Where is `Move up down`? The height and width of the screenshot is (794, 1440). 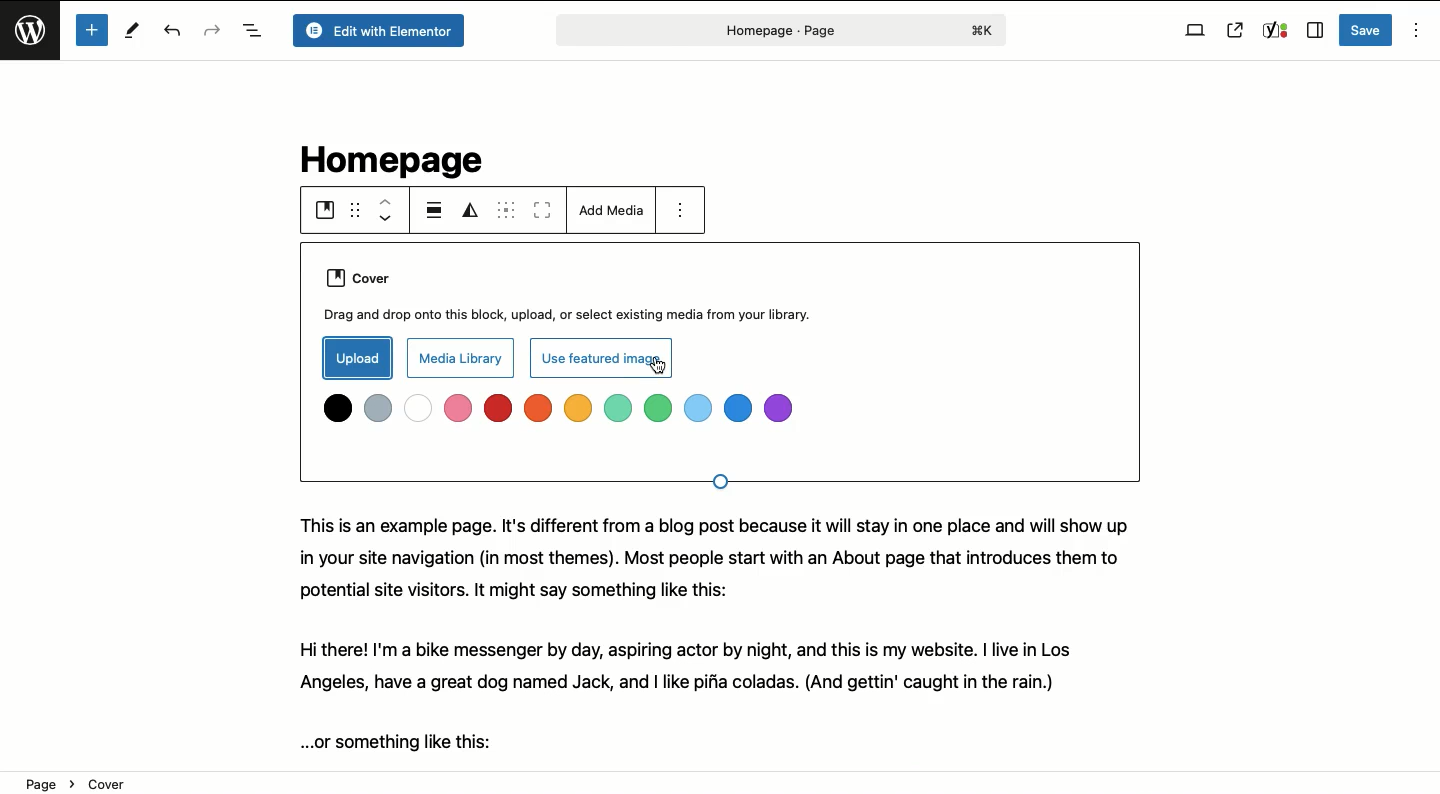 Move up down is located at coordinates (386, 211).